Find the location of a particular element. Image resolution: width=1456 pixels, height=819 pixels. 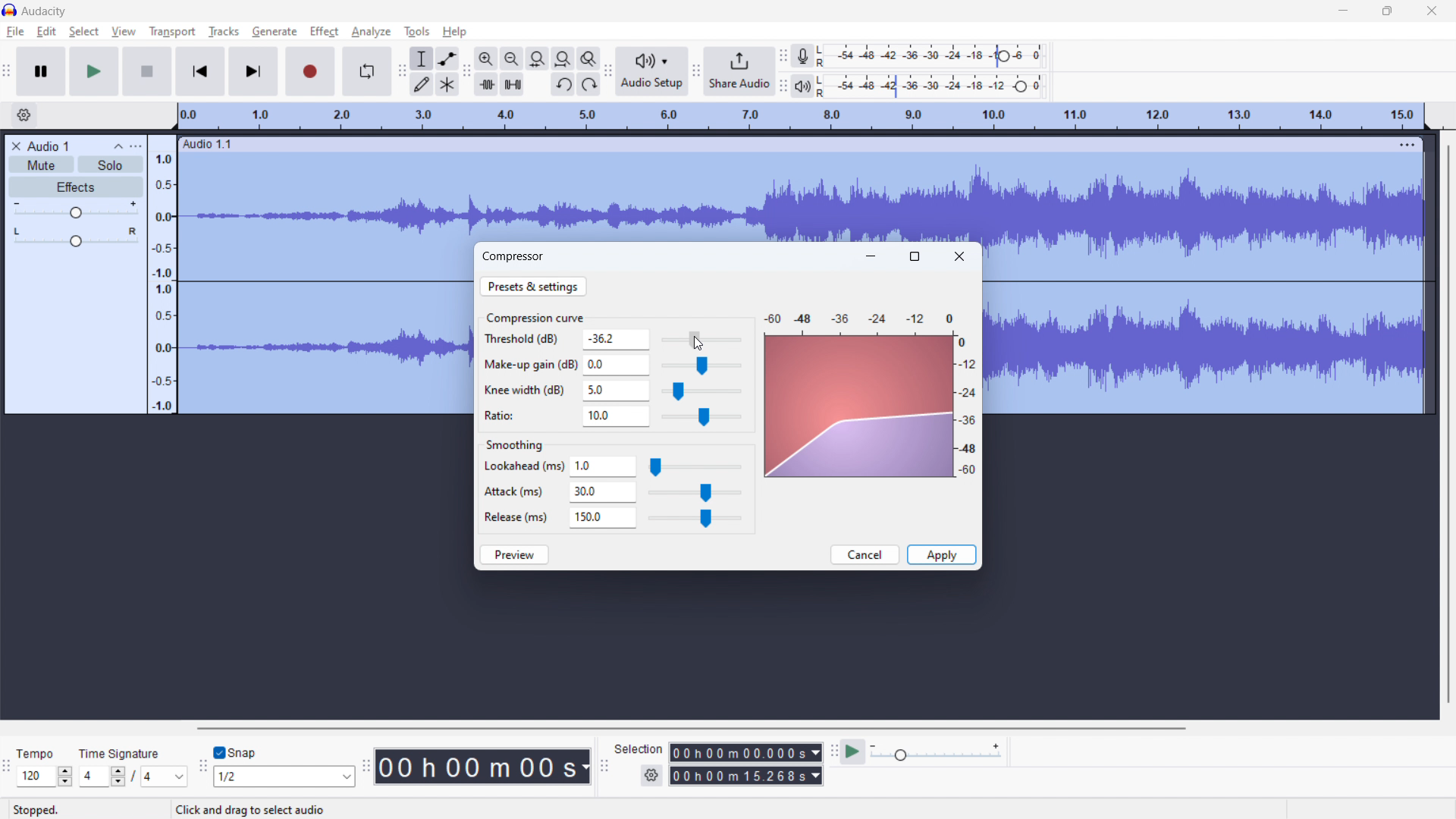

1/2 (select snap) is located at coordinates (285, 776).